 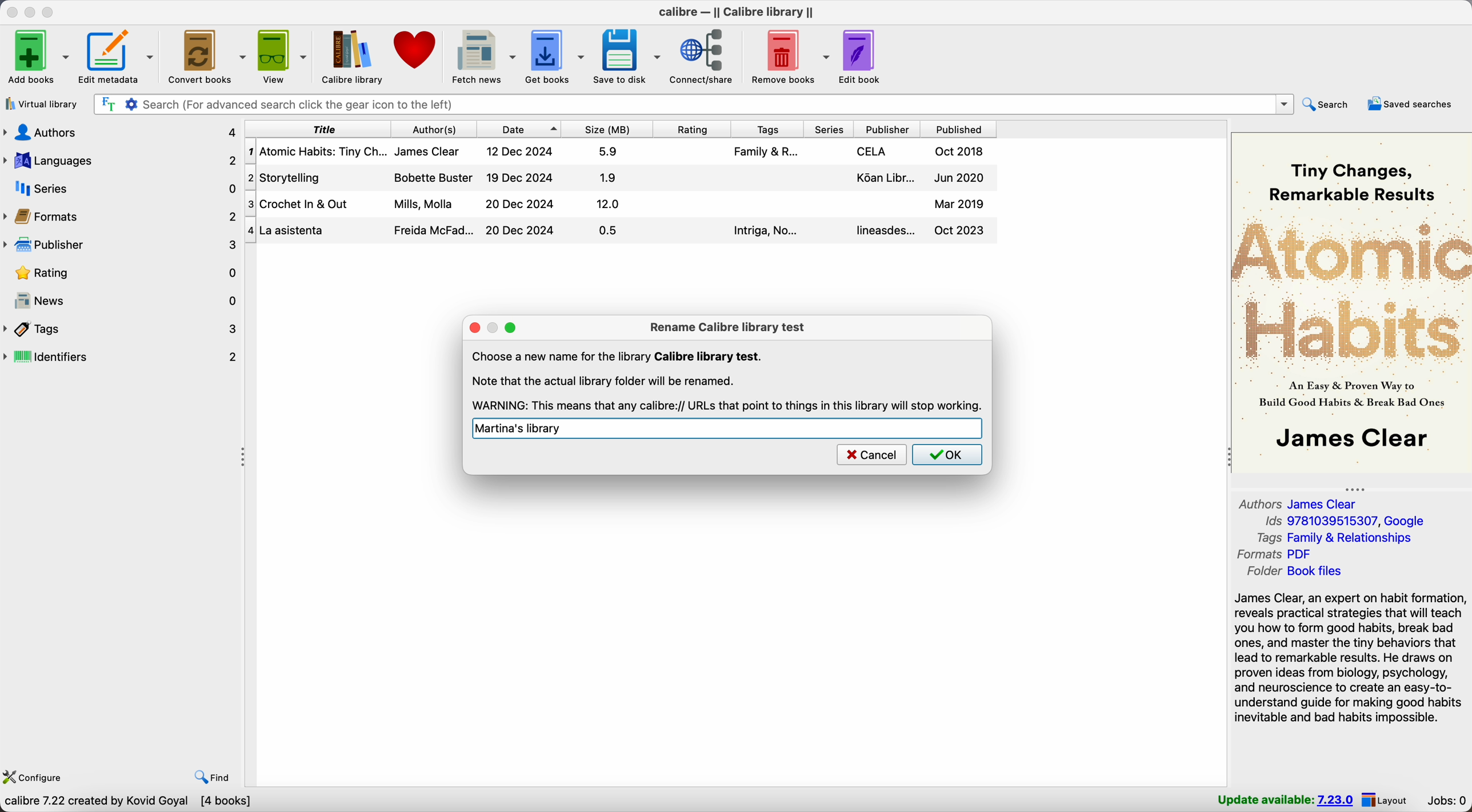 I want to click on save to disk, so click(x=627, y=56).